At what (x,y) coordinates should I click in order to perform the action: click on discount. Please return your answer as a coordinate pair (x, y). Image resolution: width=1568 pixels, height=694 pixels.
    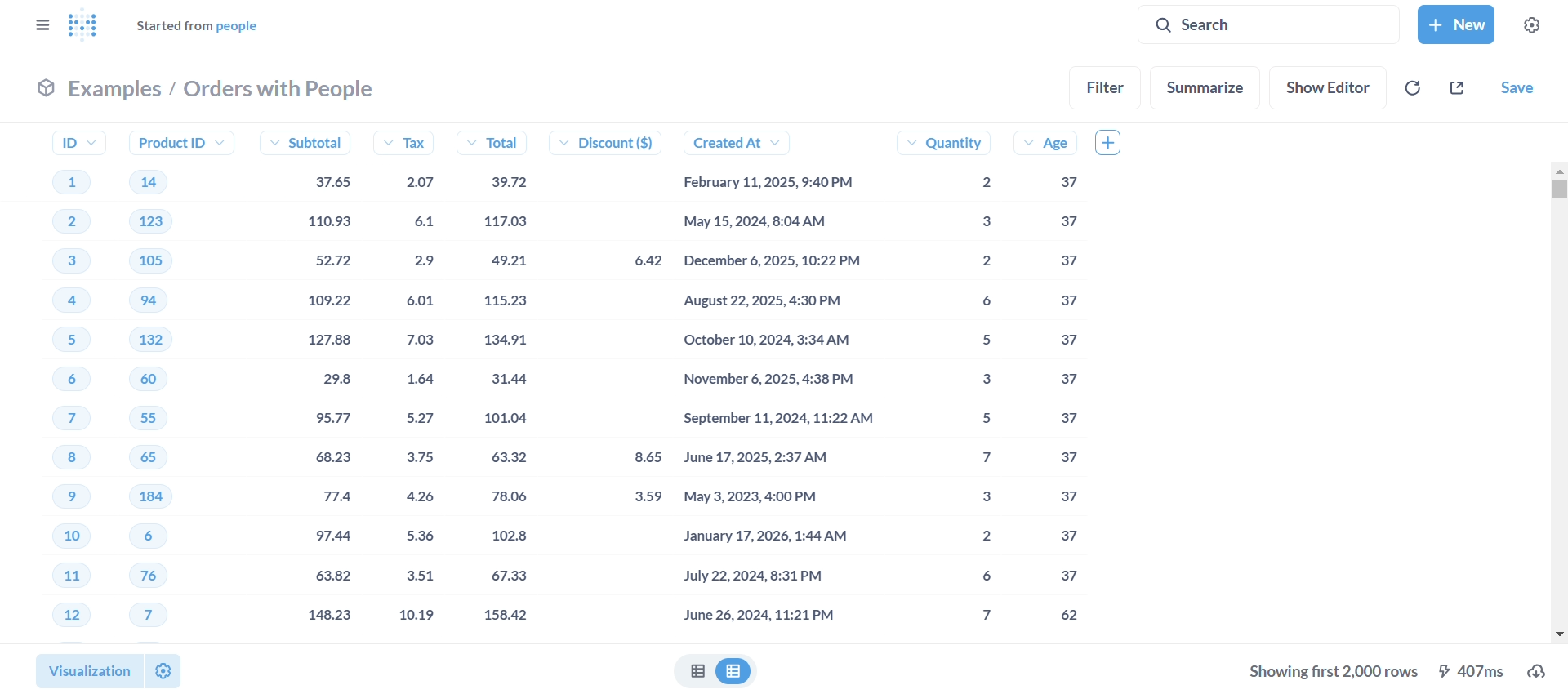
    Looking at the image, I should click on (621, 385).